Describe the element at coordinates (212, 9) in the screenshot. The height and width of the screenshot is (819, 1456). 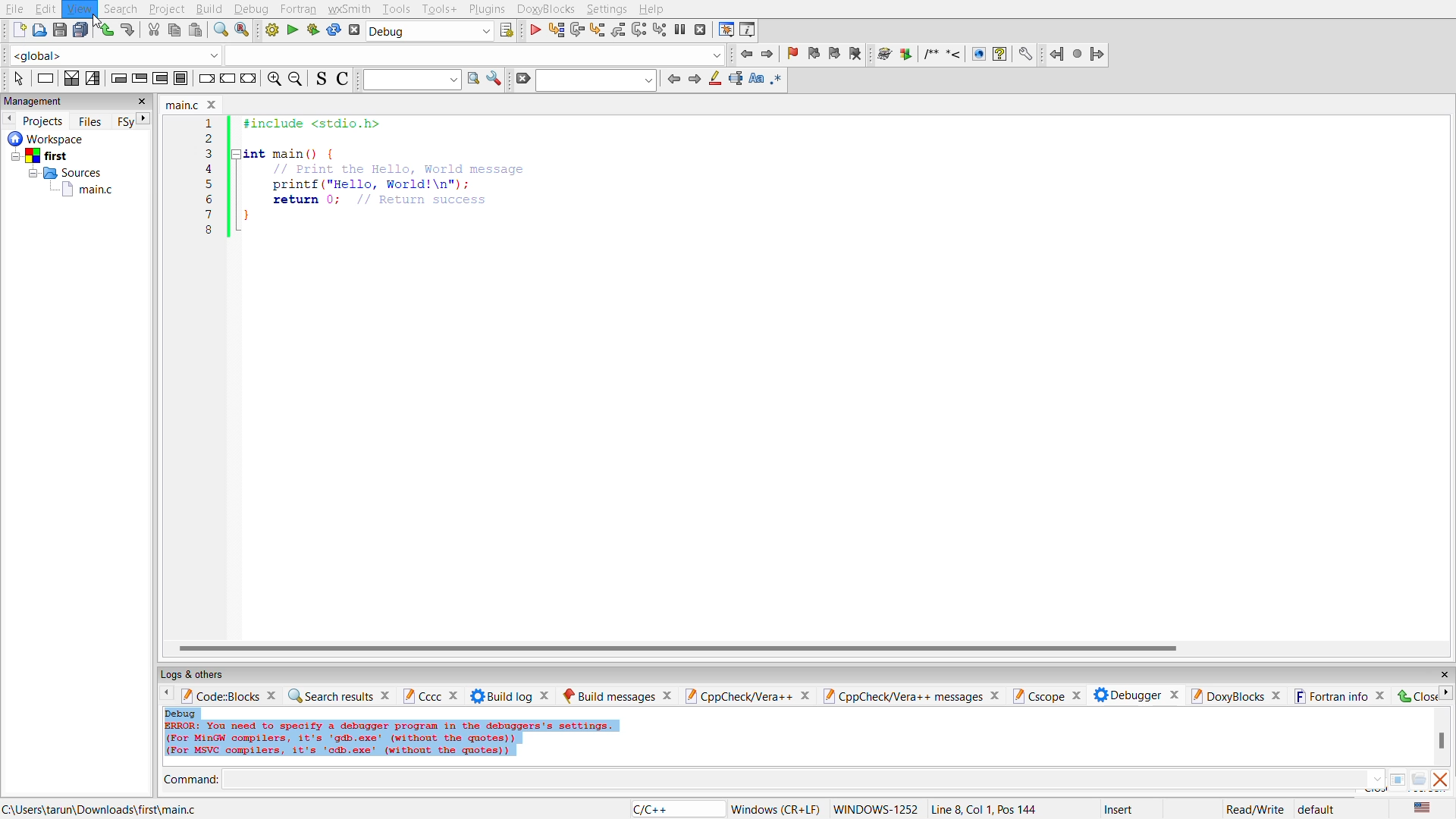
I see `build` at that location.